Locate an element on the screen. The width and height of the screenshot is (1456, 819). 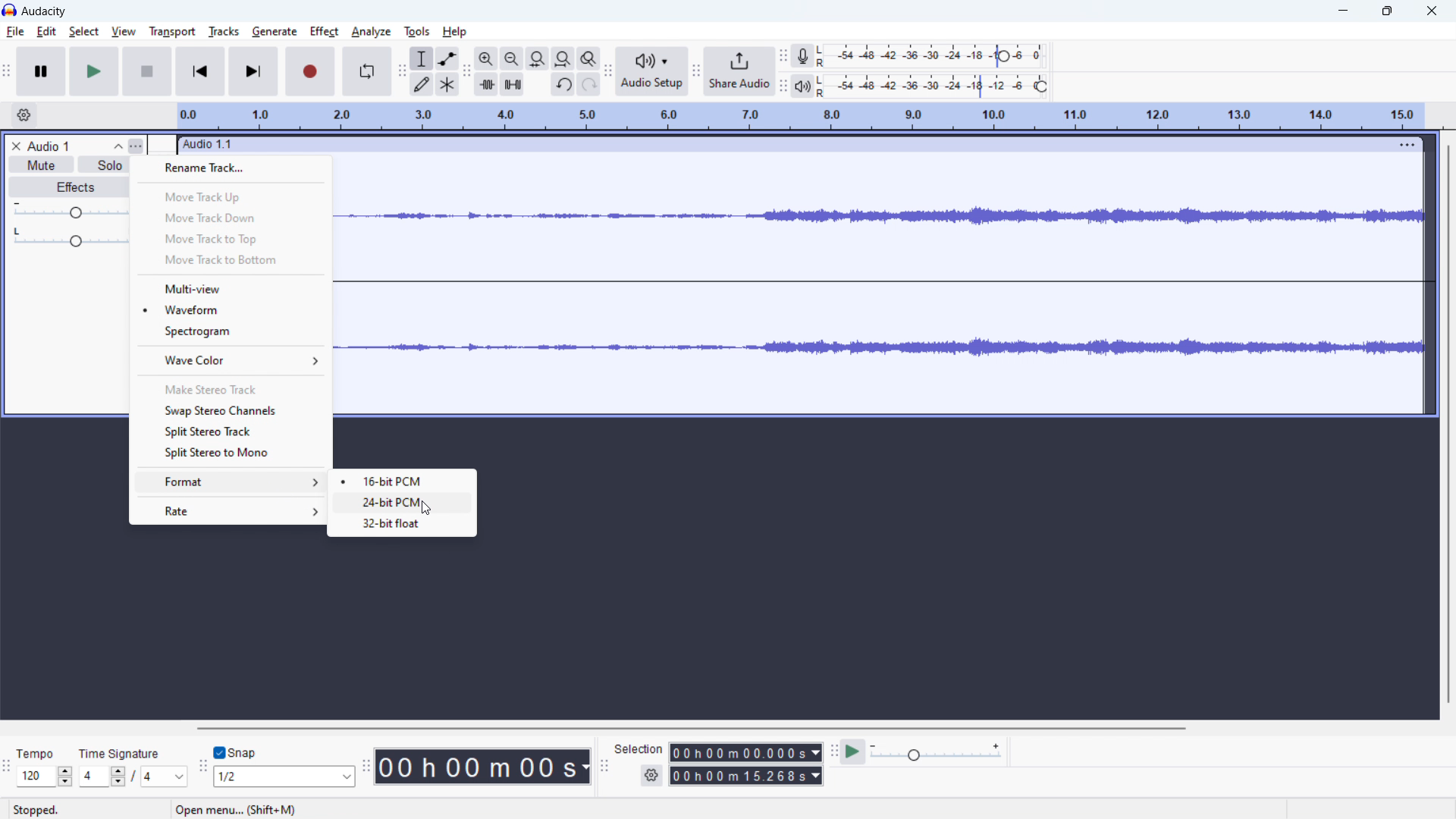
Open Menu is located at coordinates (234, 809).